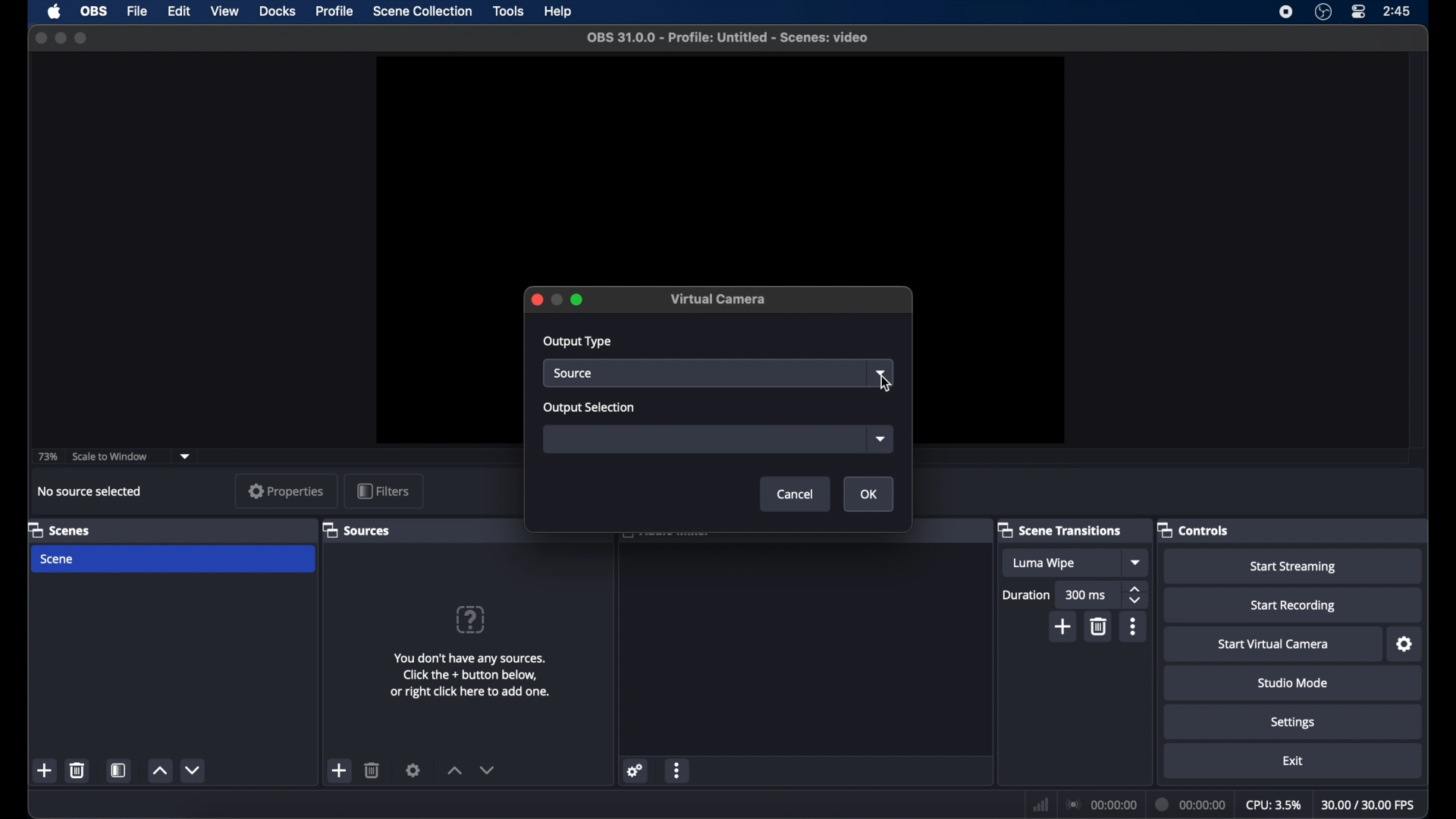 The width and height of the screenshot is (1456, 819). What do you see at coordinates (193, 770) in the screenshot?
I see `decrement` at bounding box center [193, 770].